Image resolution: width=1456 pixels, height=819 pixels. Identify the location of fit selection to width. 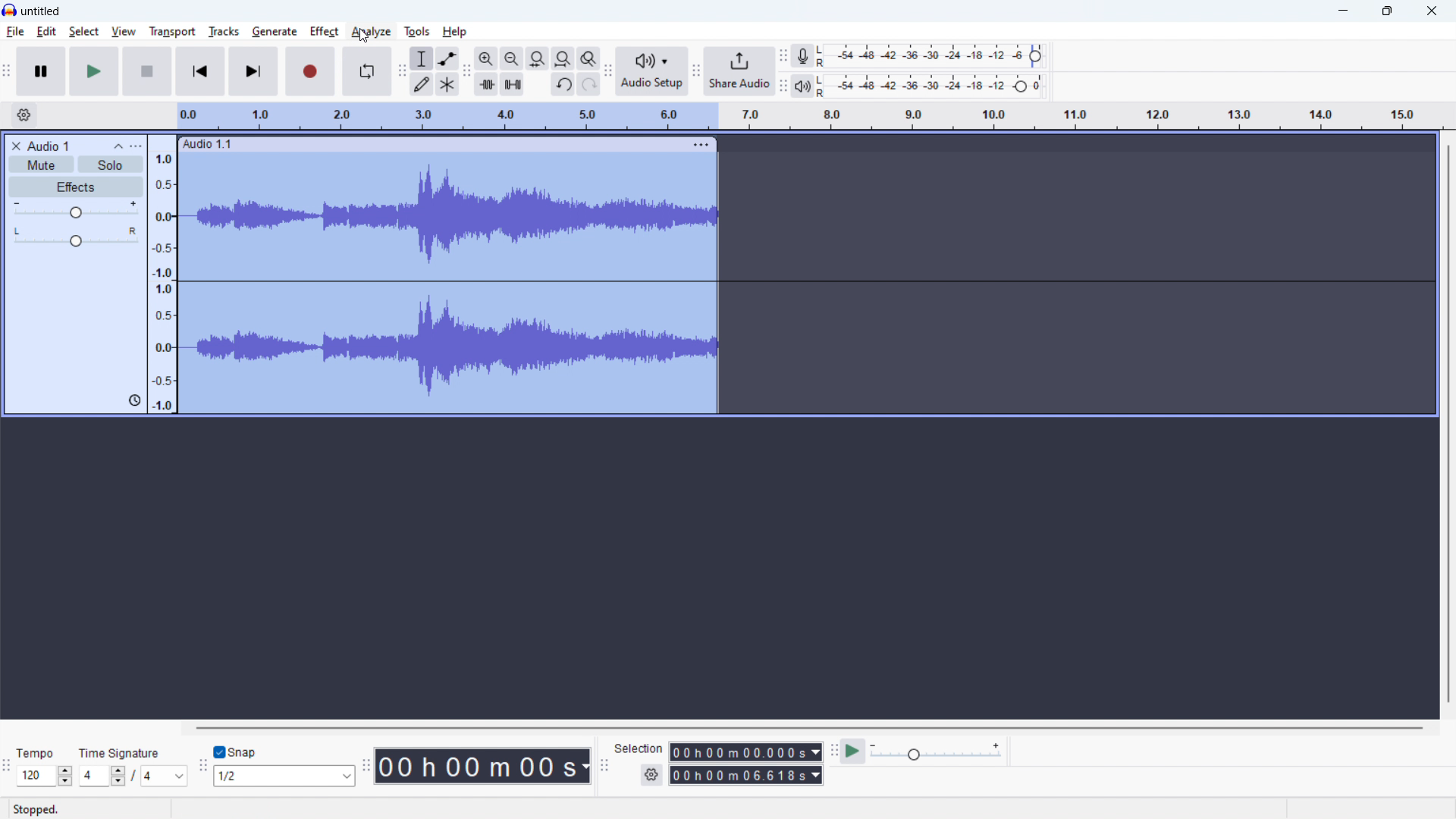
(538, 58).